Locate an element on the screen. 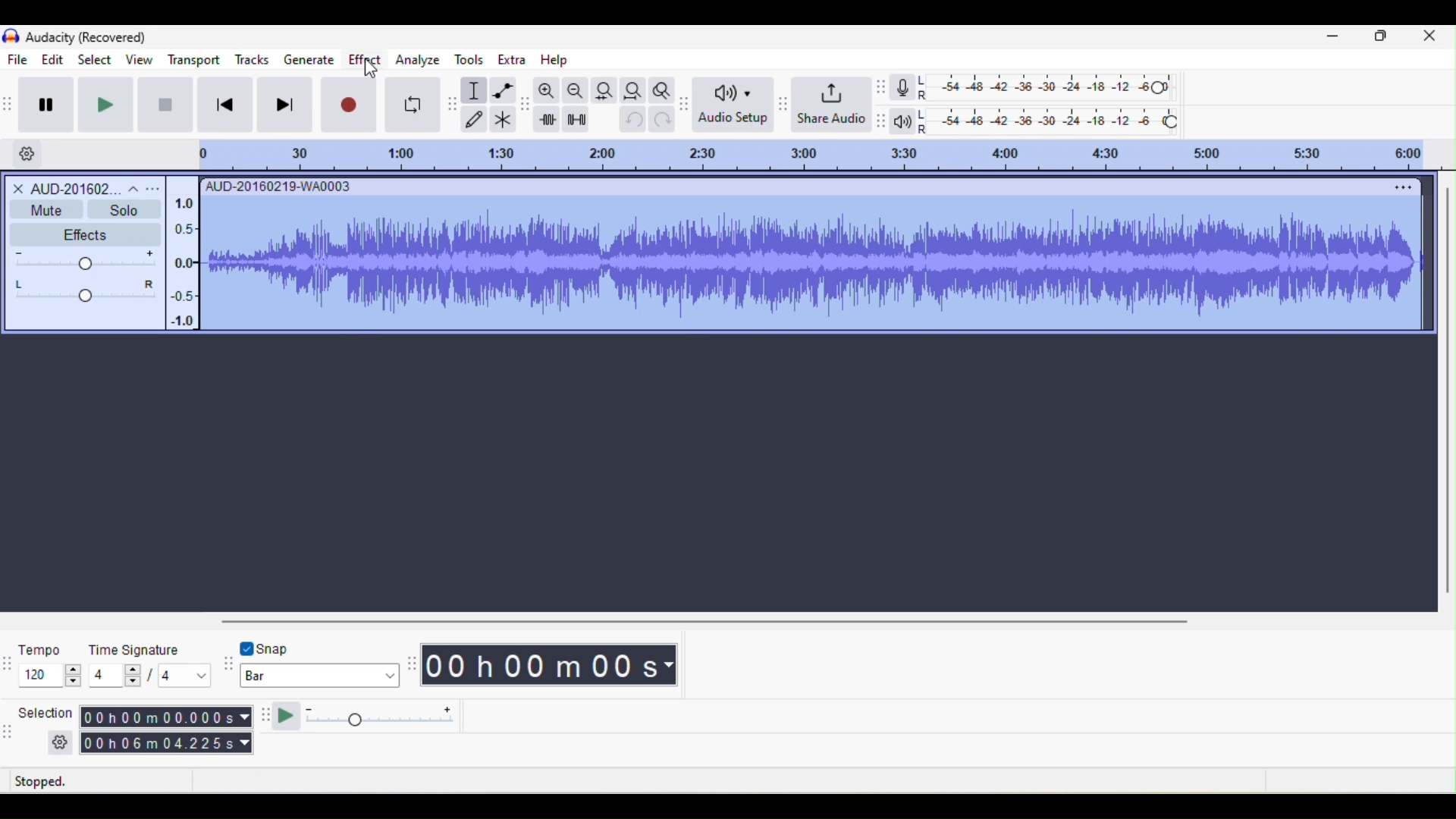 This screenshot has width=1456, height=819. transport is located at coordinates (193, 60).